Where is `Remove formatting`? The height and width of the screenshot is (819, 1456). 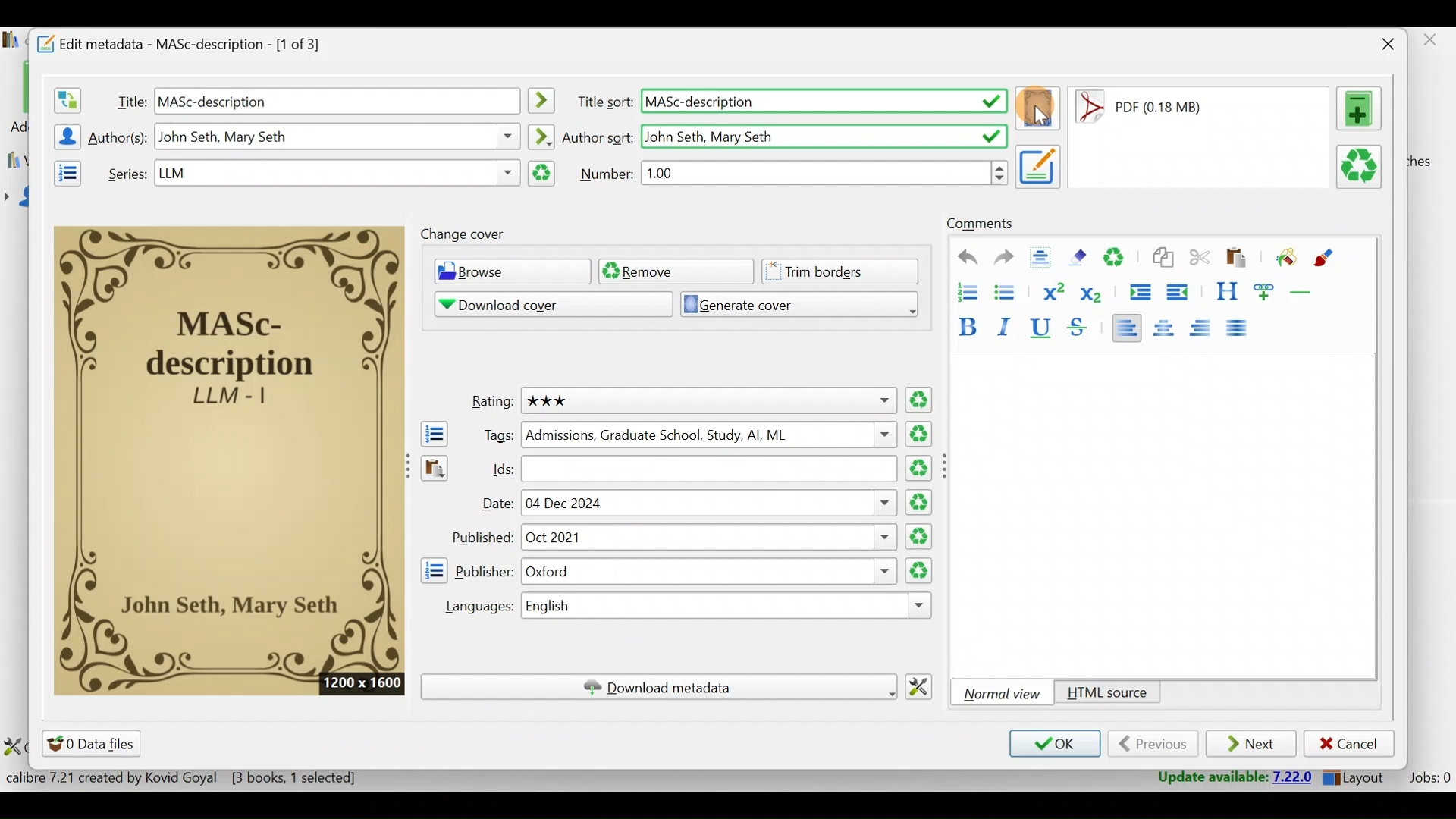 Remove formatting is located at coordinates (1081, 257).